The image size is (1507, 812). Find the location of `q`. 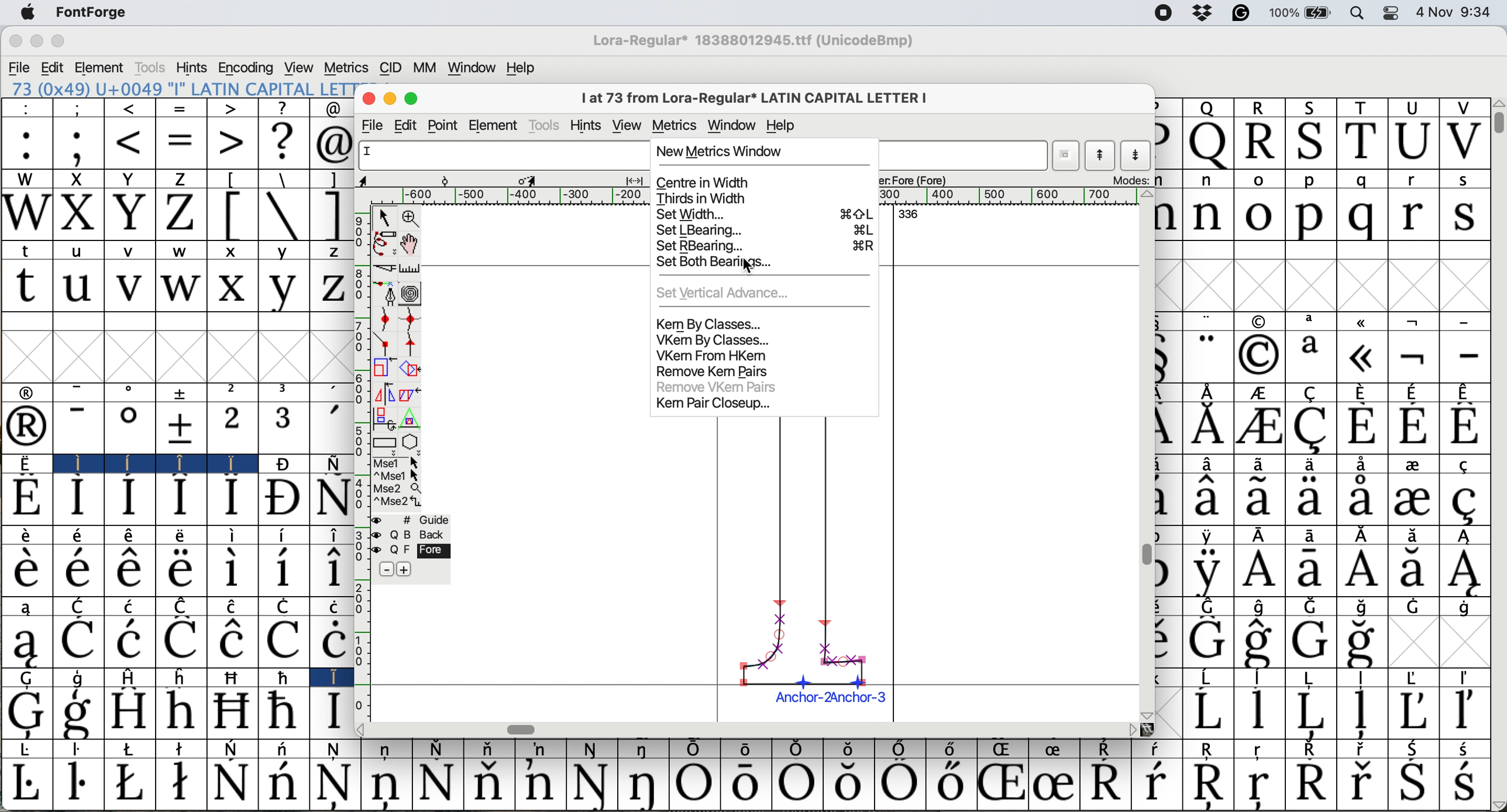

q is located at coordinates (1360, 180).